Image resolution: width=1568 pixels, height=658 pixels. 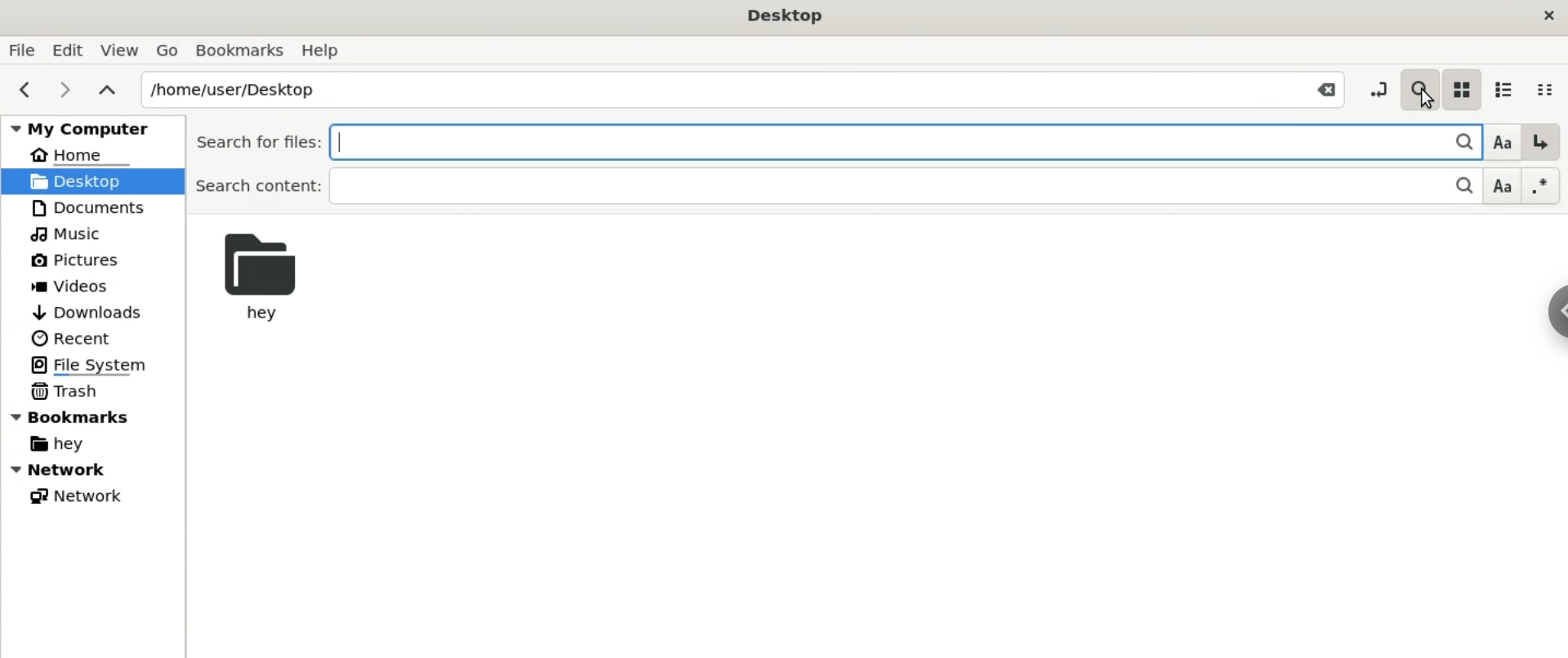 What do you see at coordinates (1454, 140) in the screenshot?
I see `Search` at bounding box center [1454, 140].